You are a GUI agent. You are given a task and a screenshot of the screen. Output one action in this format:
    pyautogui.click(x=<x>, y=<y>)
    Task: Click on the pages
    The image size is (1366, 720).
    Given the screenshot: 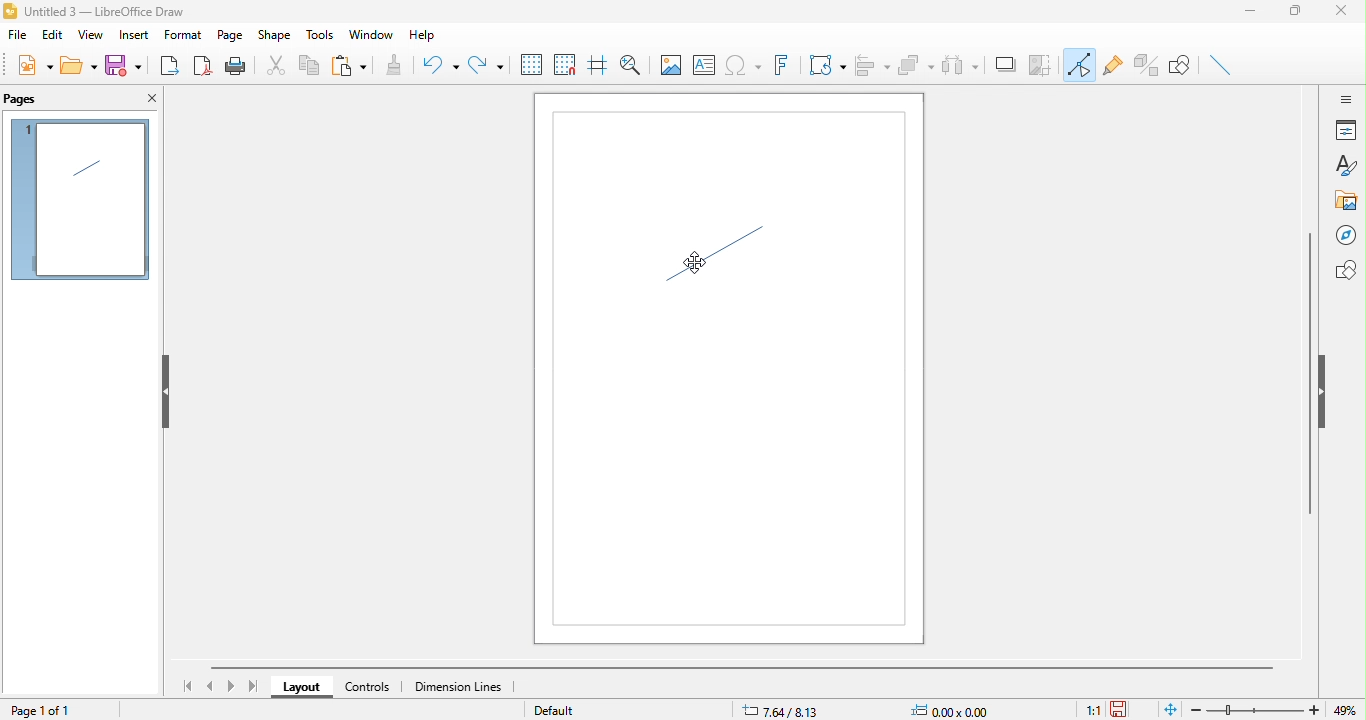 What is the action you would take?
    pyautogui.click(x=36, y=98)
    